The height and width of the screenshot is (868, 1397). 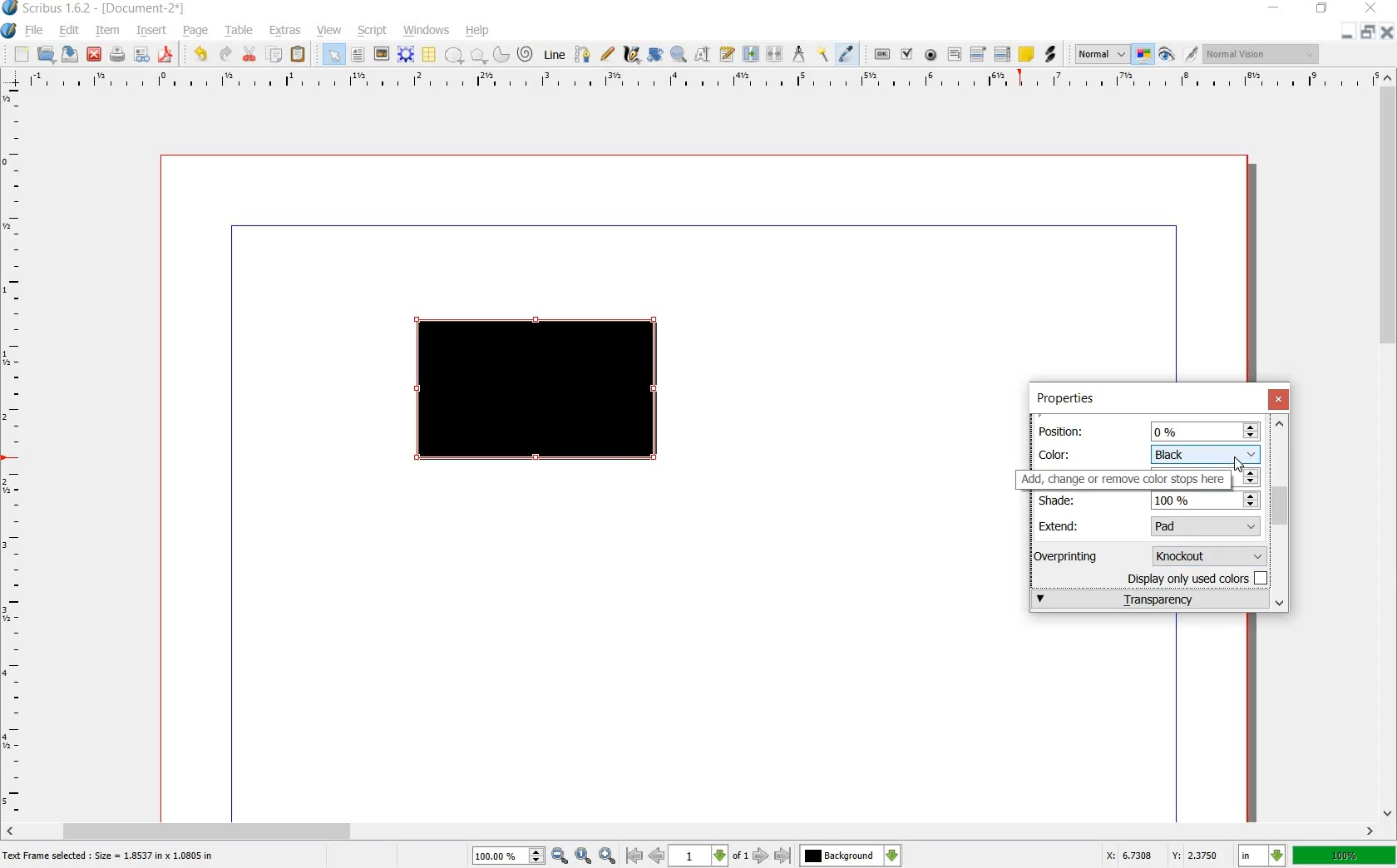 What do you see at coordinates (240, 32) in the screenshot?
I see `table` at bounding box center [240, 32].